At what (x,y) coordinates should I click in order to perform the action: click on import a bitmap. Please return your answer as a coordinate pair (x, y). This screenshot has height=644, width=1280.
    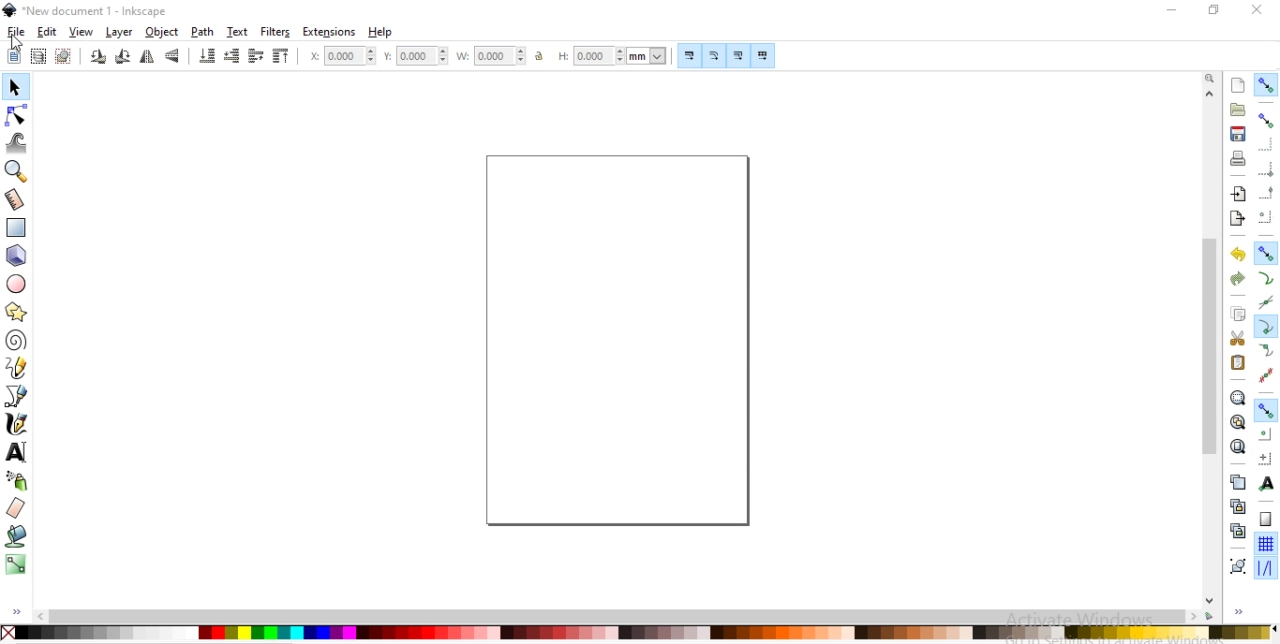
    Looking at the image, I should click on (1239, 194).